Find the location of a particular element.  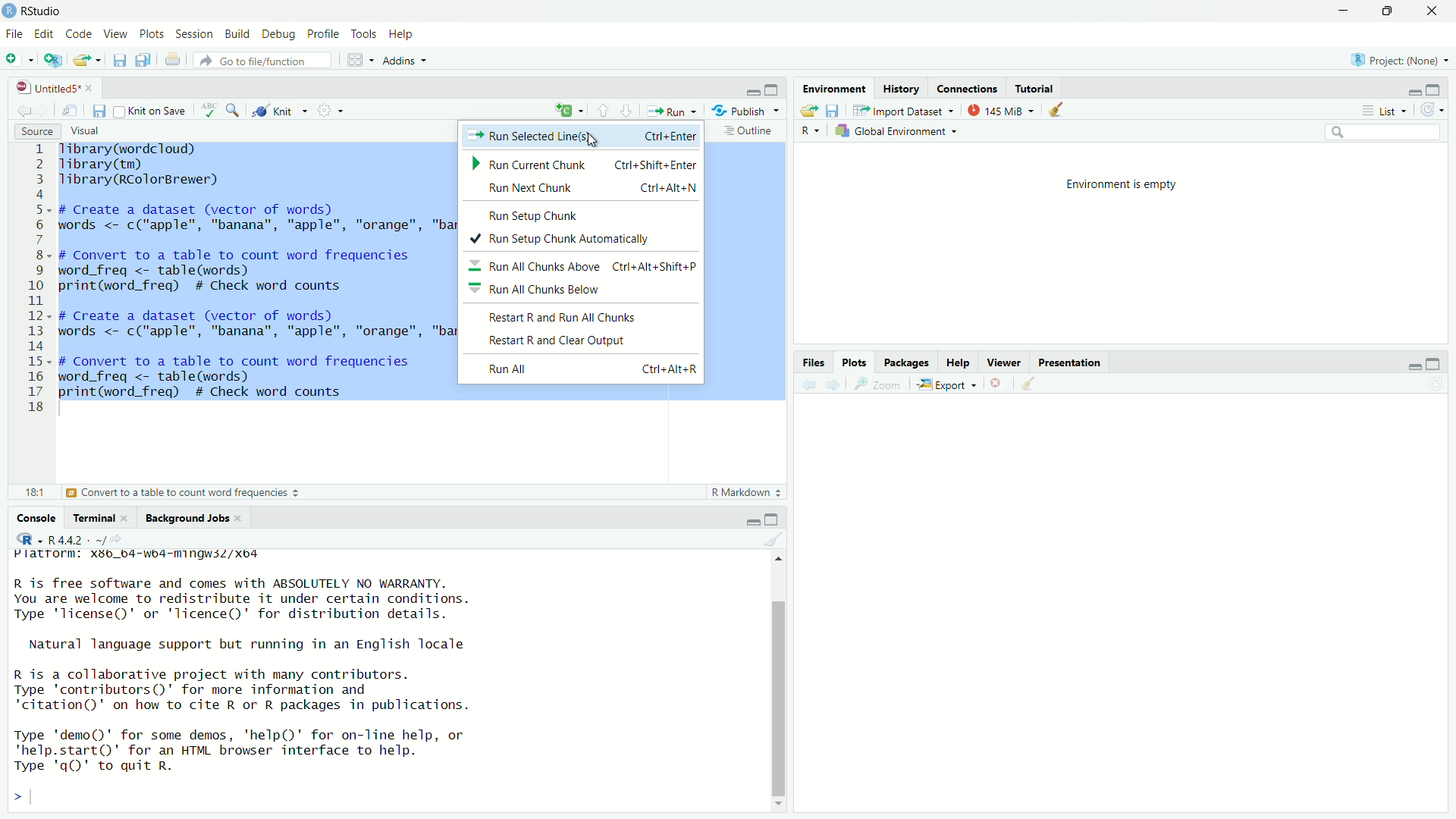

maximize is located at coordinates (1436, 91).